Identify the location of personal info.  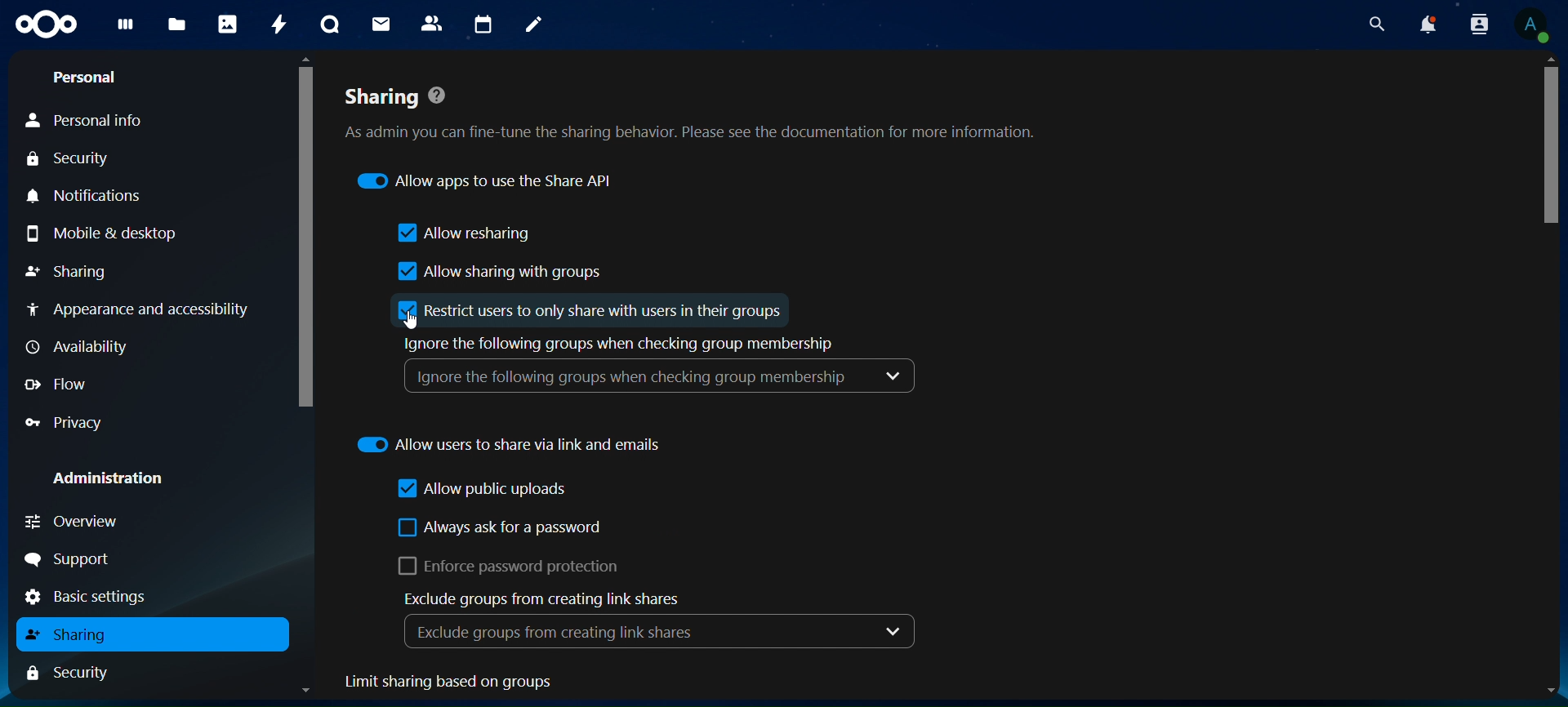
(90, 121).